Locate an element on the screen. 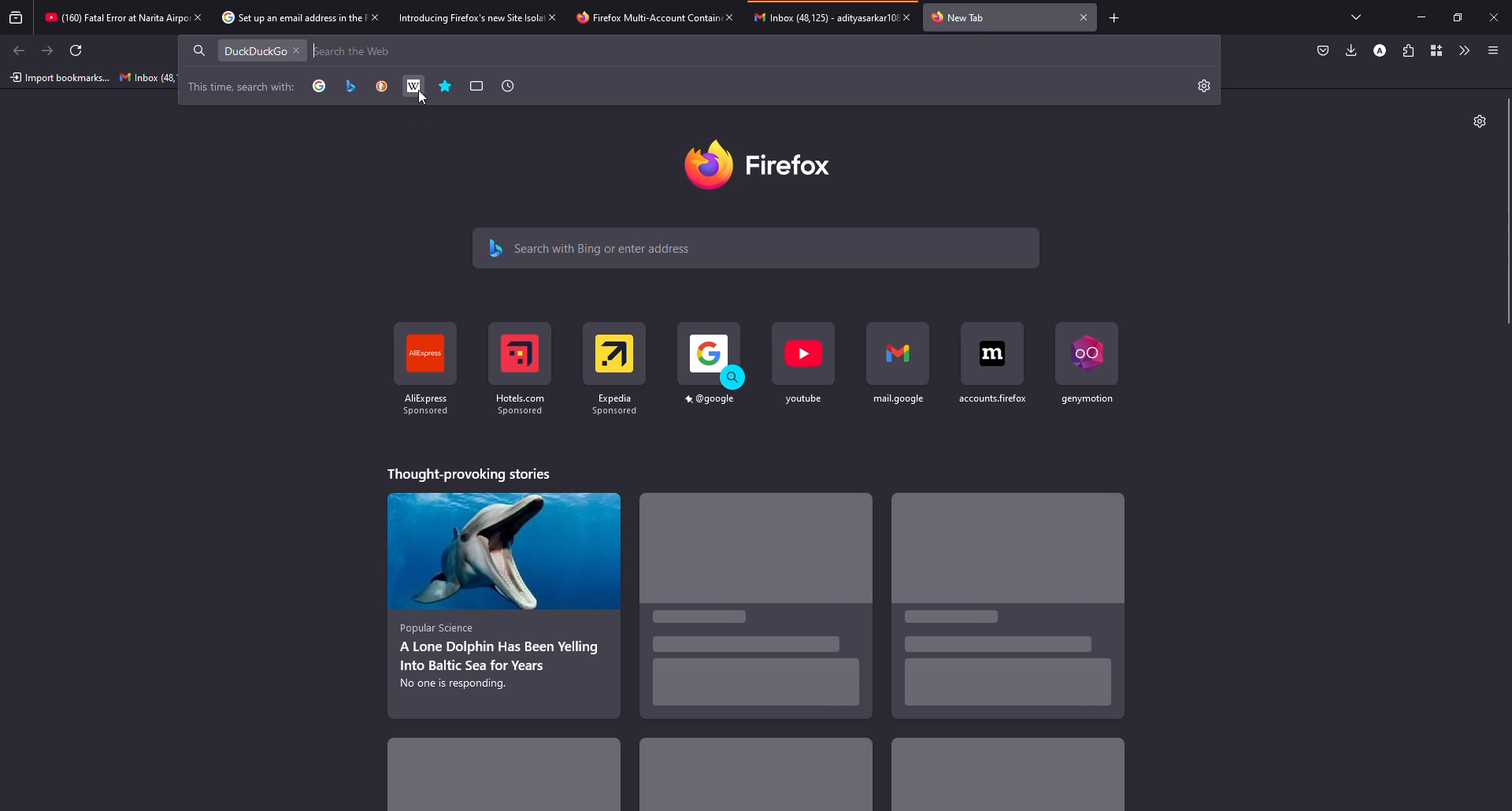 The image size is (1512, 811). history is located at coordinates (507, 86).